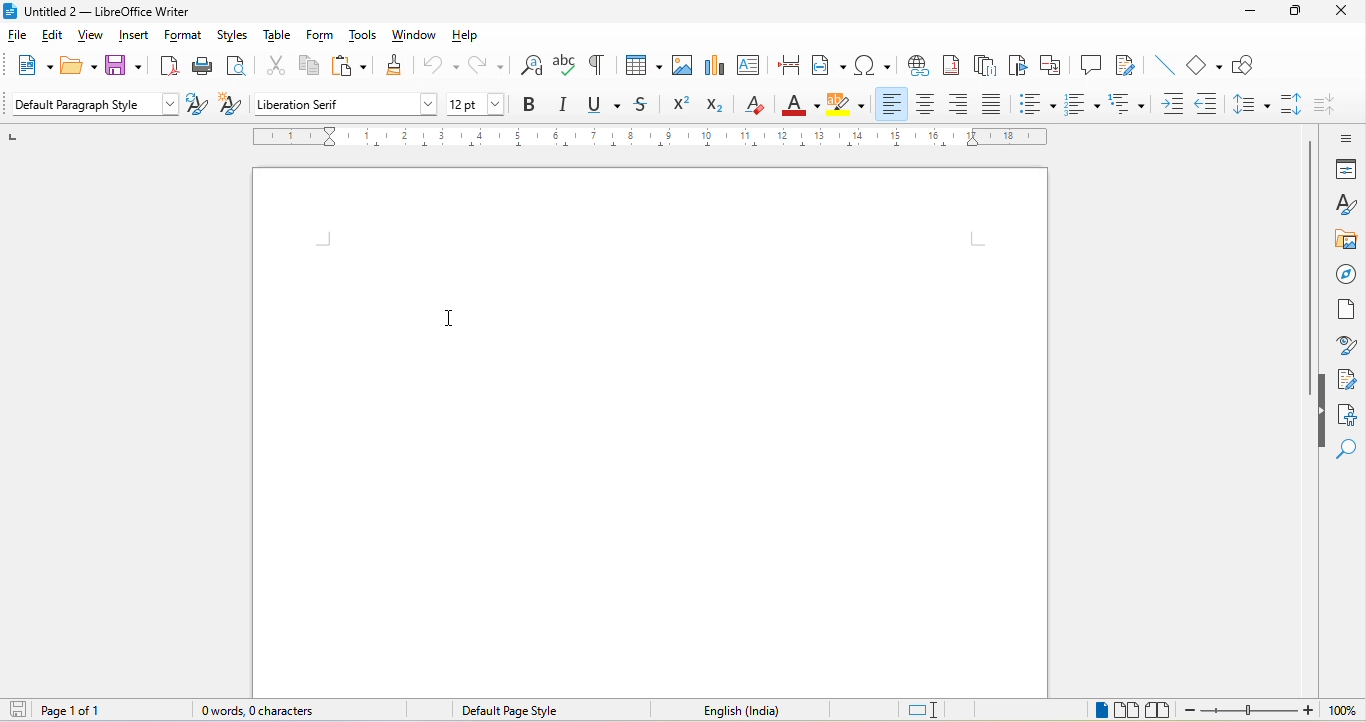  I want to click on zoom, so click(1271, 711).